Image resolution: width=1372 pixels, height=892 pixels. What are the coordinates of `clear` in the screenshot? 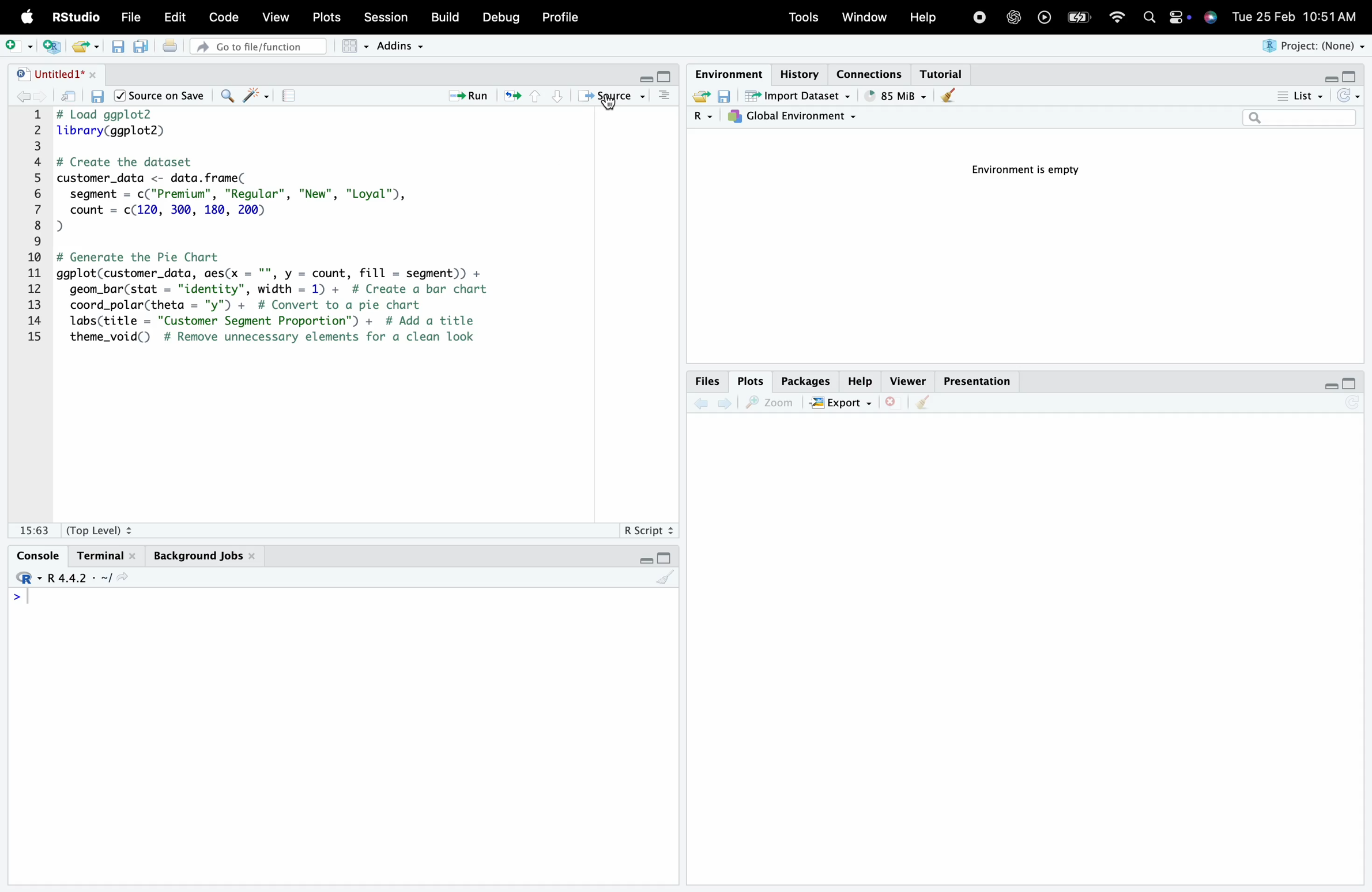 It's located at (925, 407).